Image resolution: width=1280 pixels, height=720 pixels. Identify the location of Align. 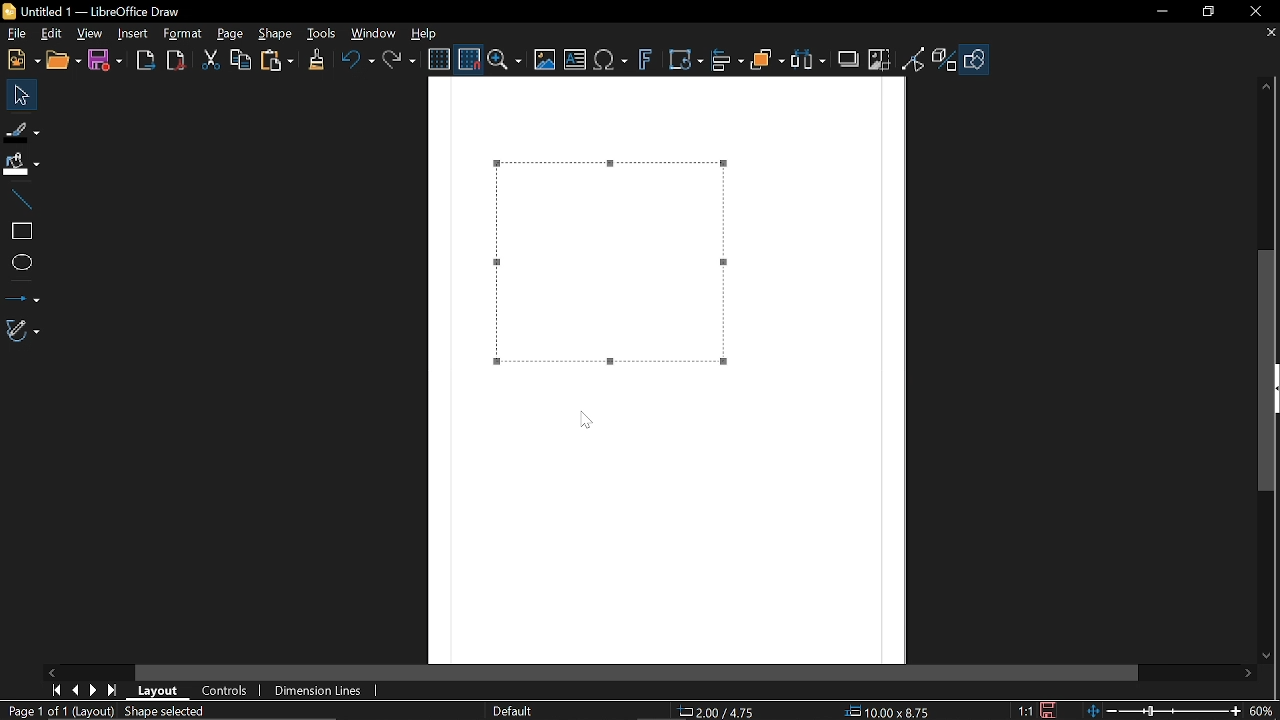
(728, 61).